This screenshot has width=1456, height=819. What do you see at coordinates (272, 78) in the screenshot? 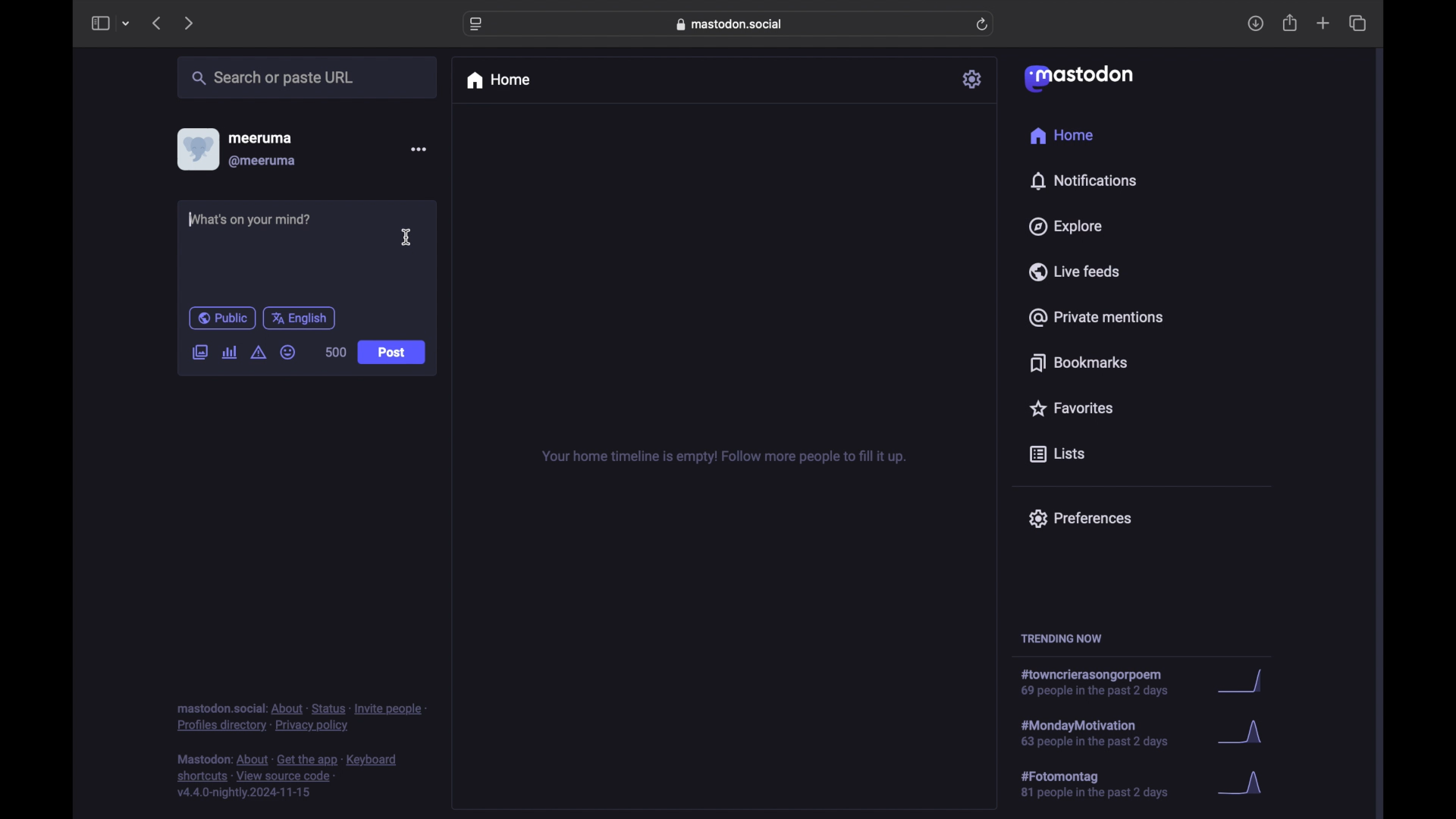
I see `search or paste url` at bounding box center [272, 78].